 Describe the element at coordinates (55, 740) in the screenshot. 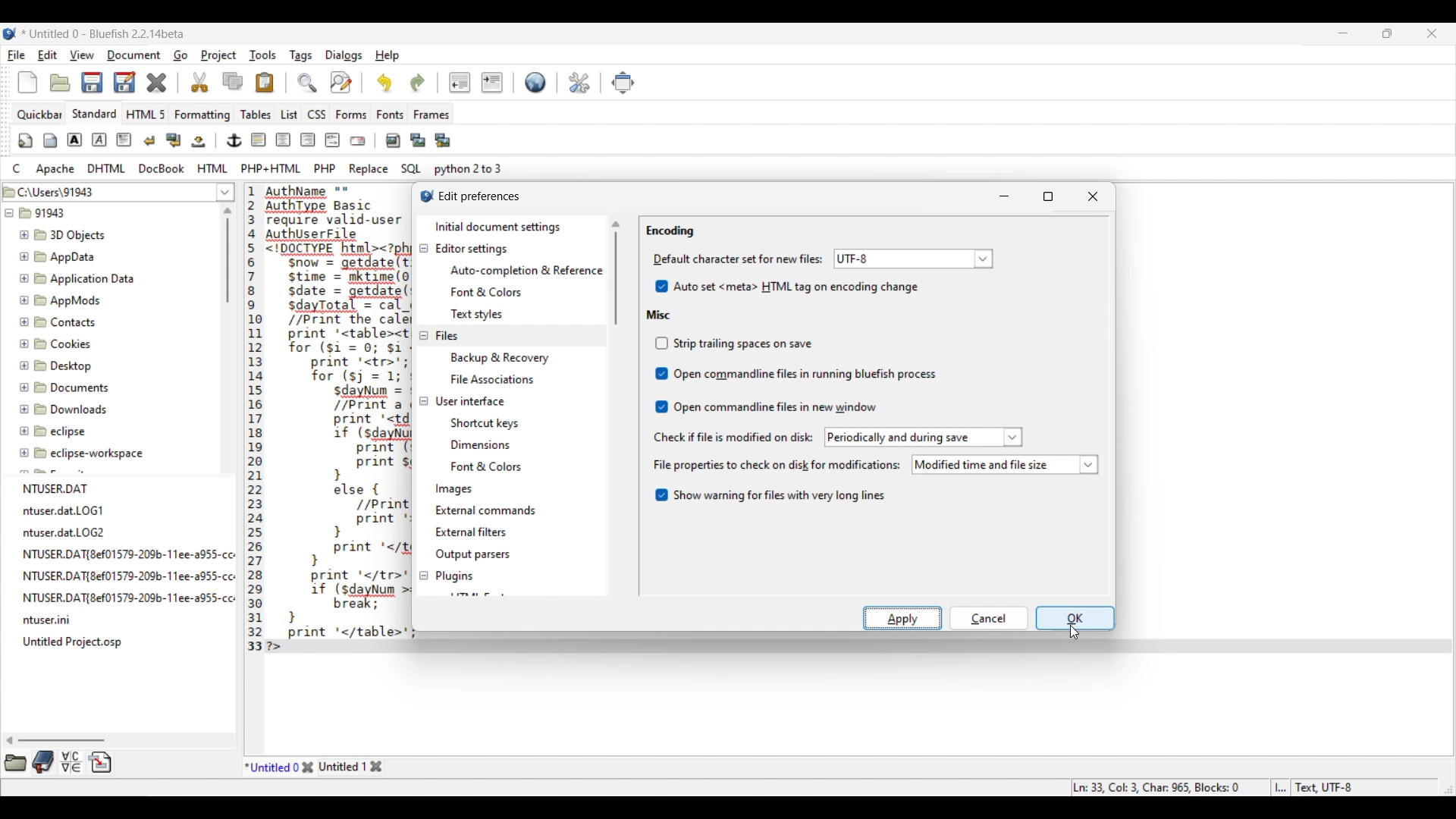

I see `Horizontal slide bar` at that location.